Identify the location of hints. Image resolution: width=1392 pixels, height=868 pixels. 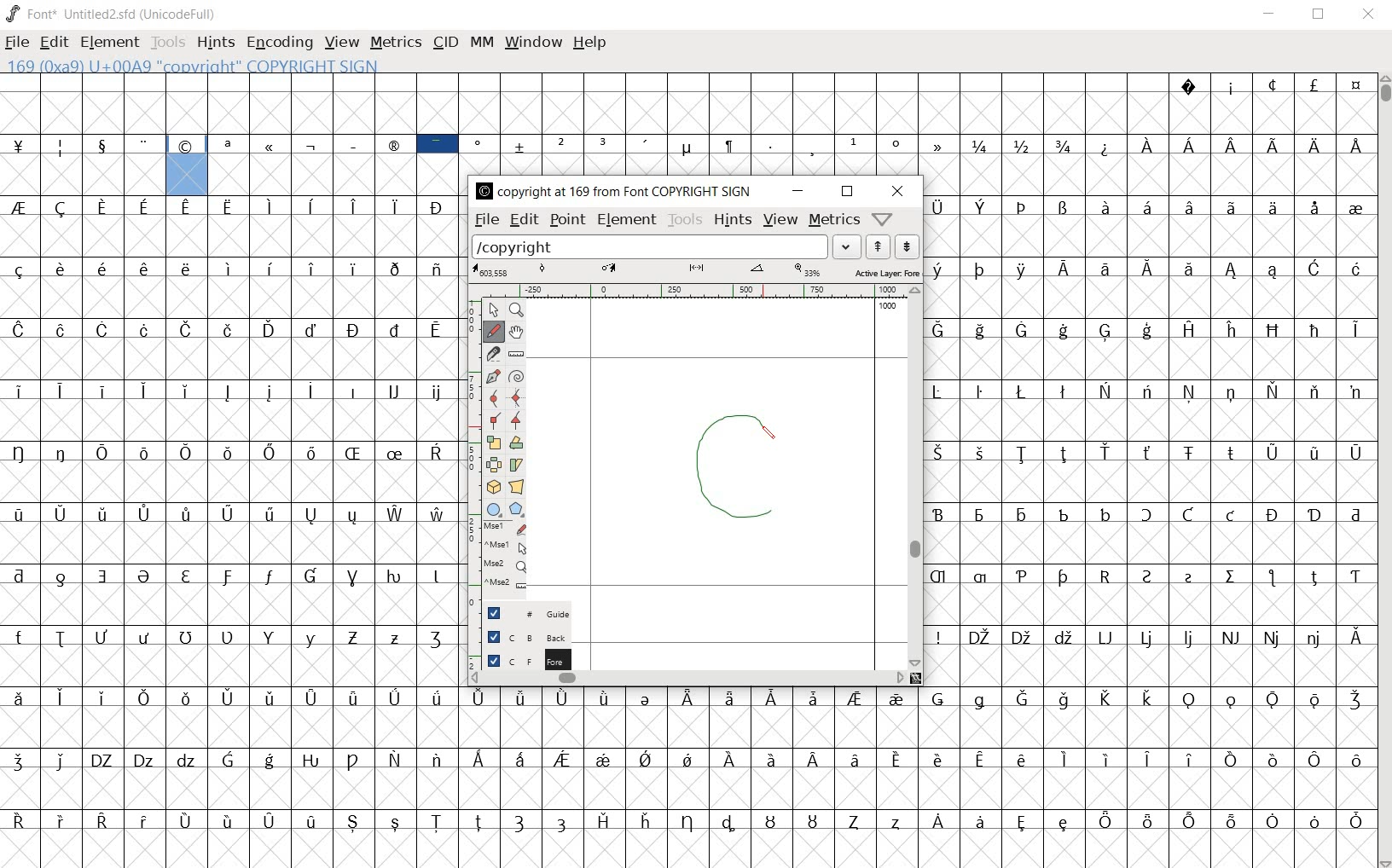
(214, 43).